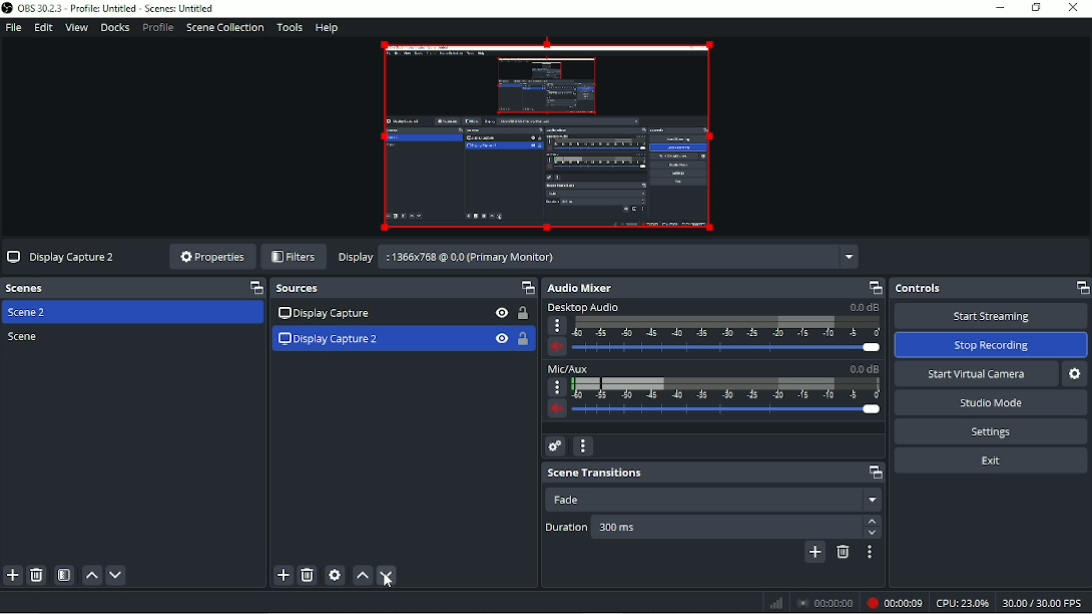 The height and width of the screenshot is (614, 1092). Describe the element at coordinates (42, 28) in the screenshot. I see `Edit` at that location.